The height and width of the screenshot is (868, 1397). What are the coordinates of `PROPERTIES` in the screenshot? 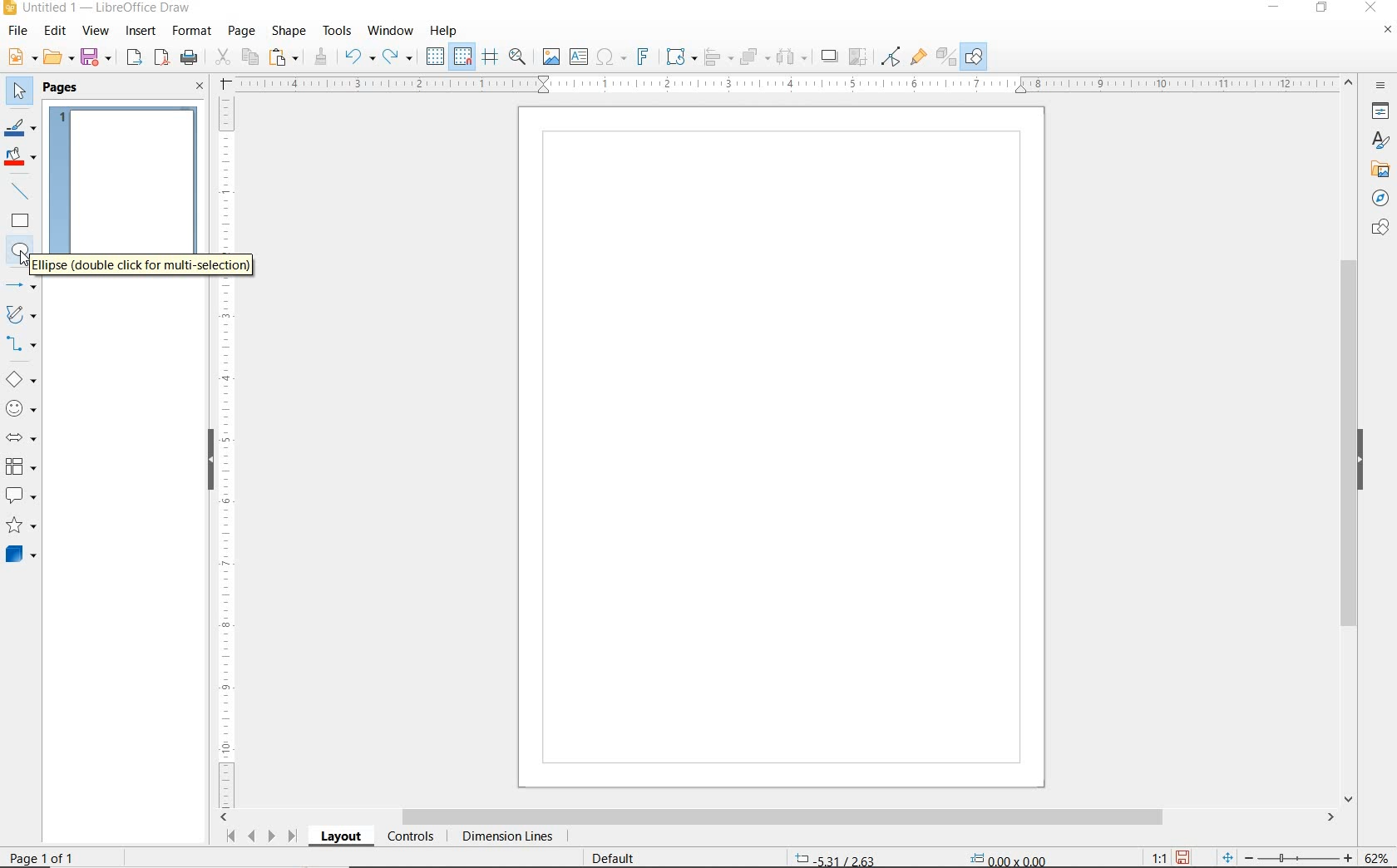 It's located at (1383, 114).